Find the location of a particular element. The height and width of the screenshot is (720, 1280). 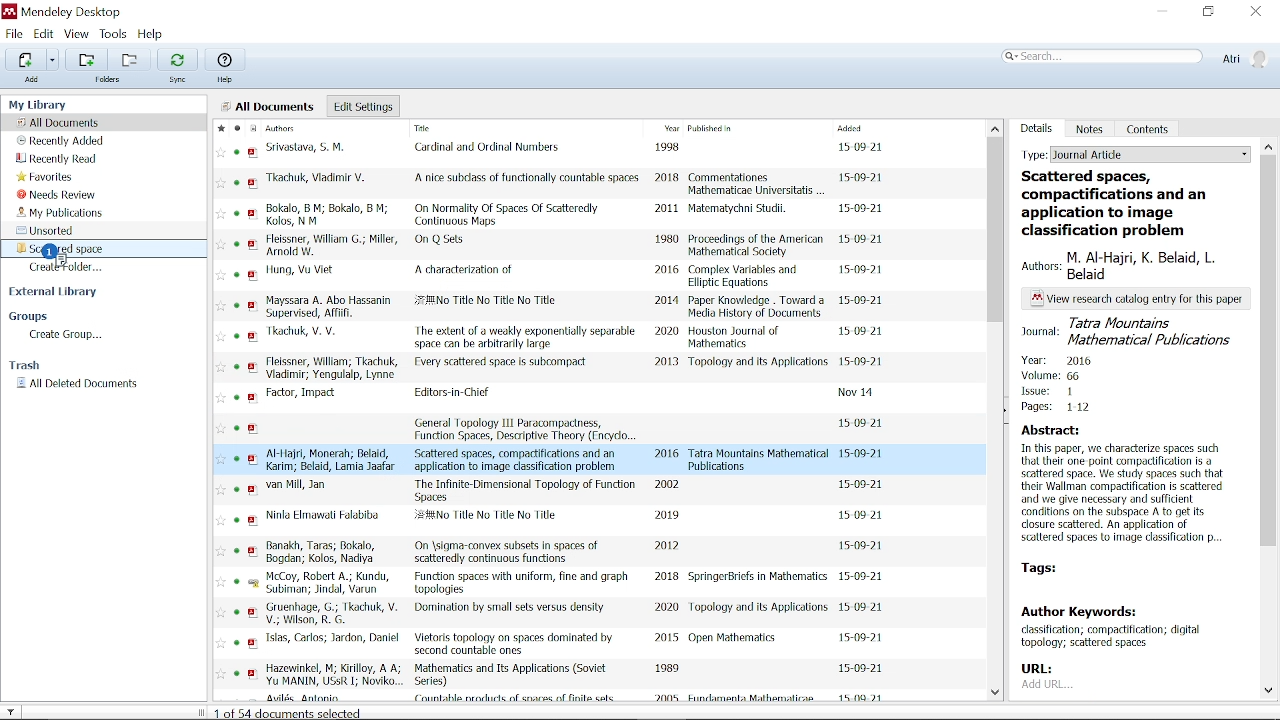

date is located at coordinates (863, 243).